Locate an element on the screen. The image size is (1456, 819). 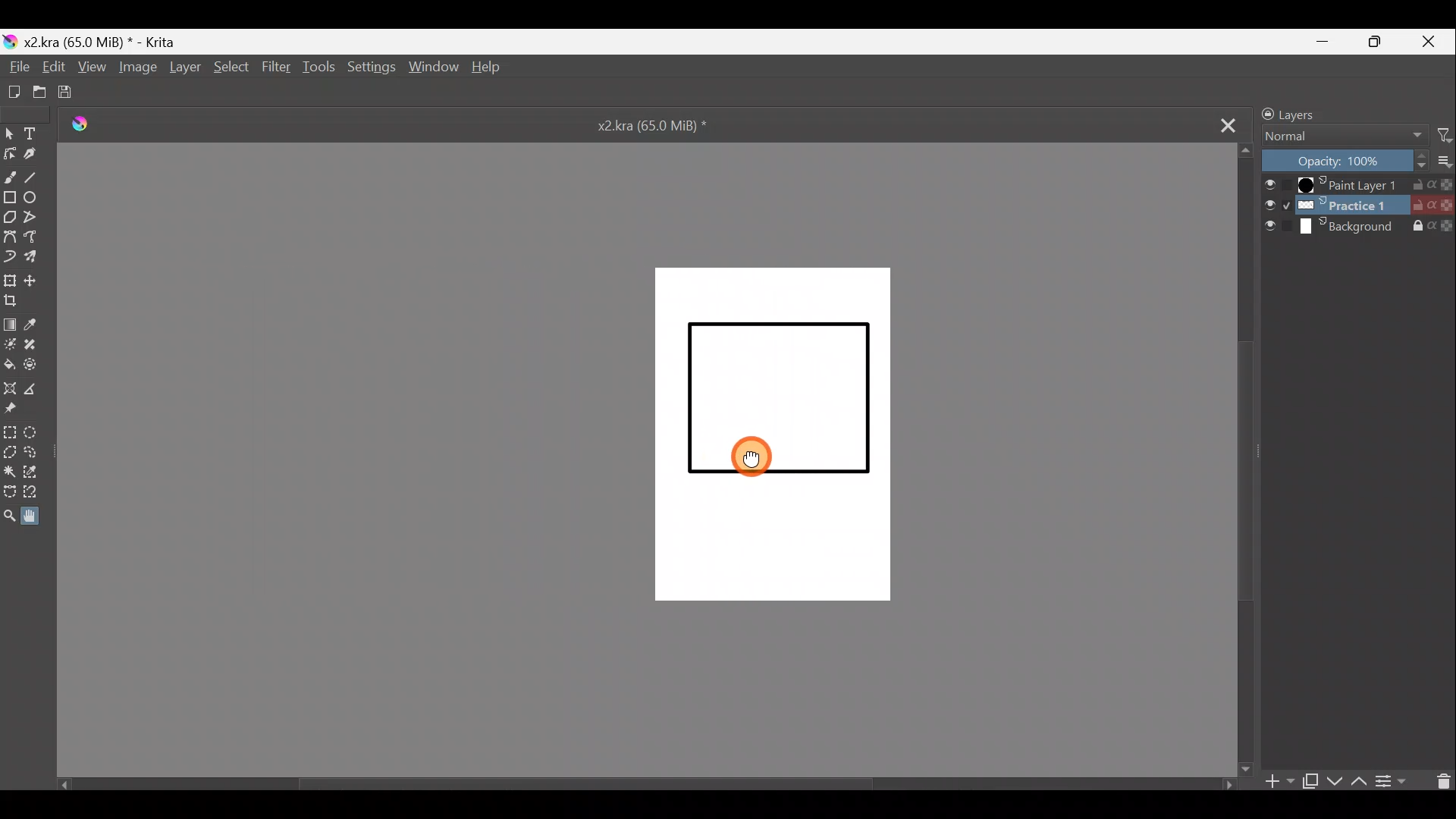
Window is located at coordinates (431, 68).